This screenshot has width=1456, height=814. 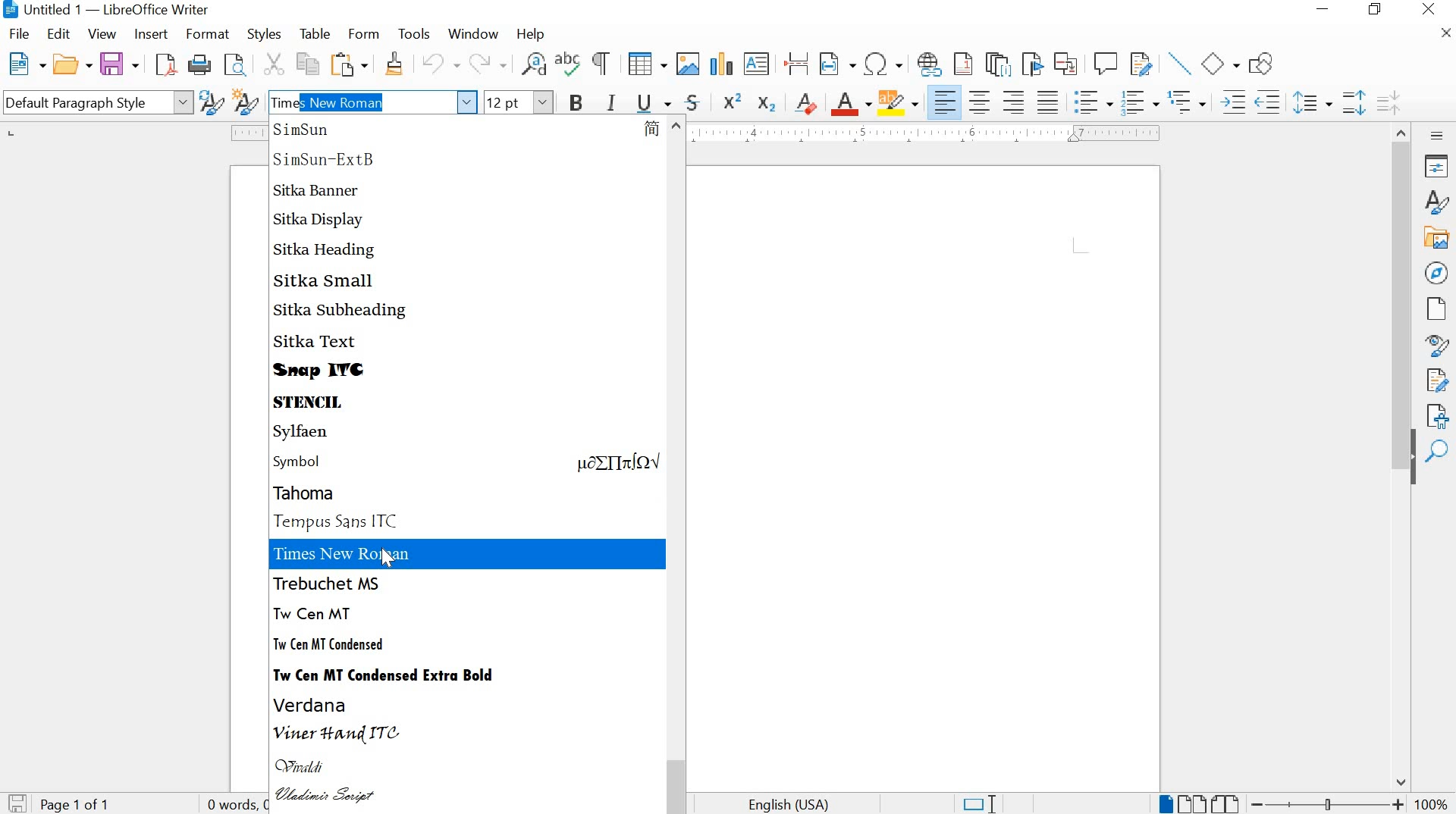 I want to click on UNDO, so click(x=435, y=66).